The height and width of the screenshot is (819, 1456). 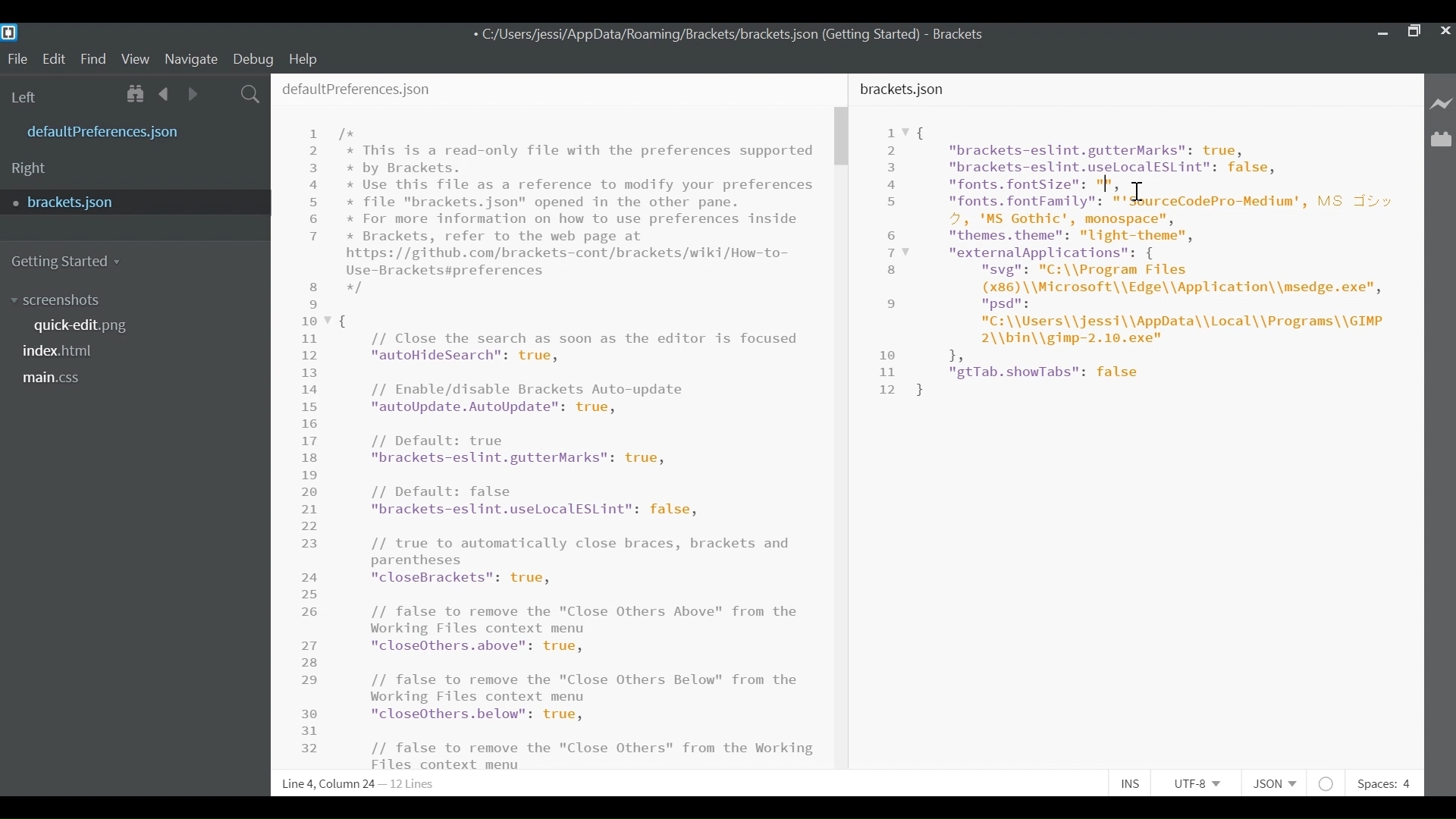 I want to click on Restore, so click(x=1412, y=30).